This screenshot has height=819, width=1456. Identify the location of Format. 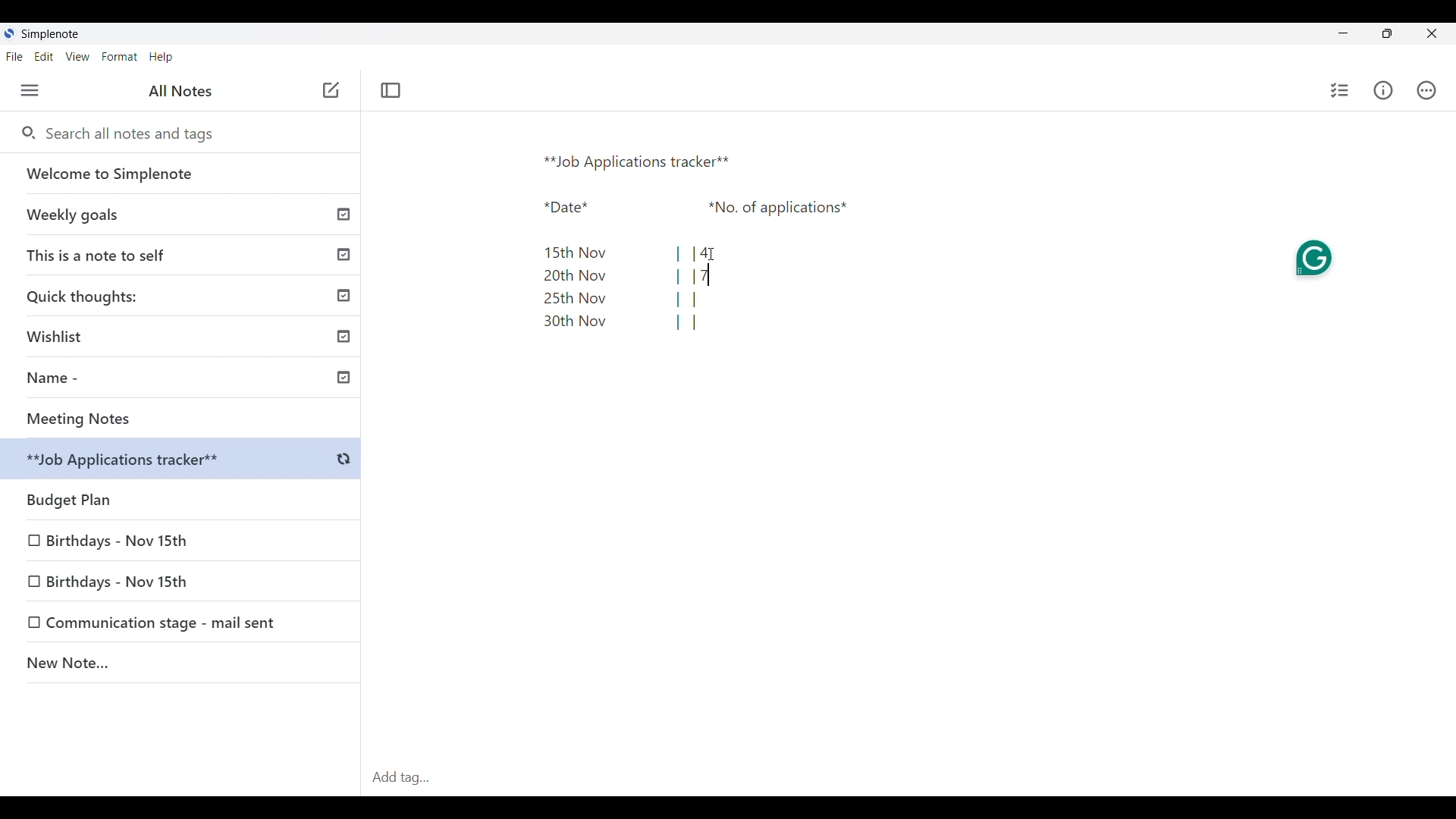
(120, 57).